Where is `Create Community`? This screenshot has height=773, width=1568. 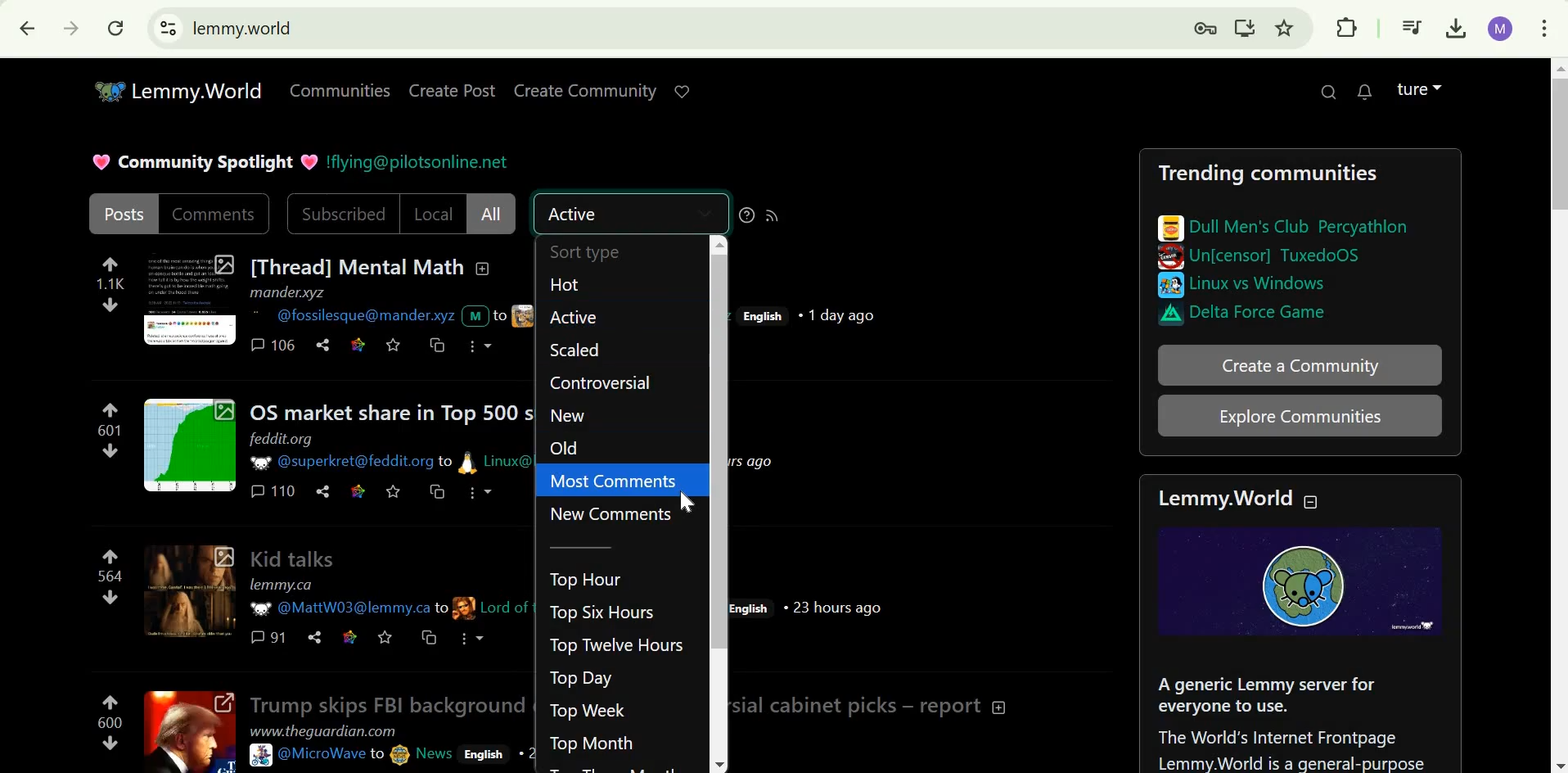 Create Community is located at coordinates (589, 91).